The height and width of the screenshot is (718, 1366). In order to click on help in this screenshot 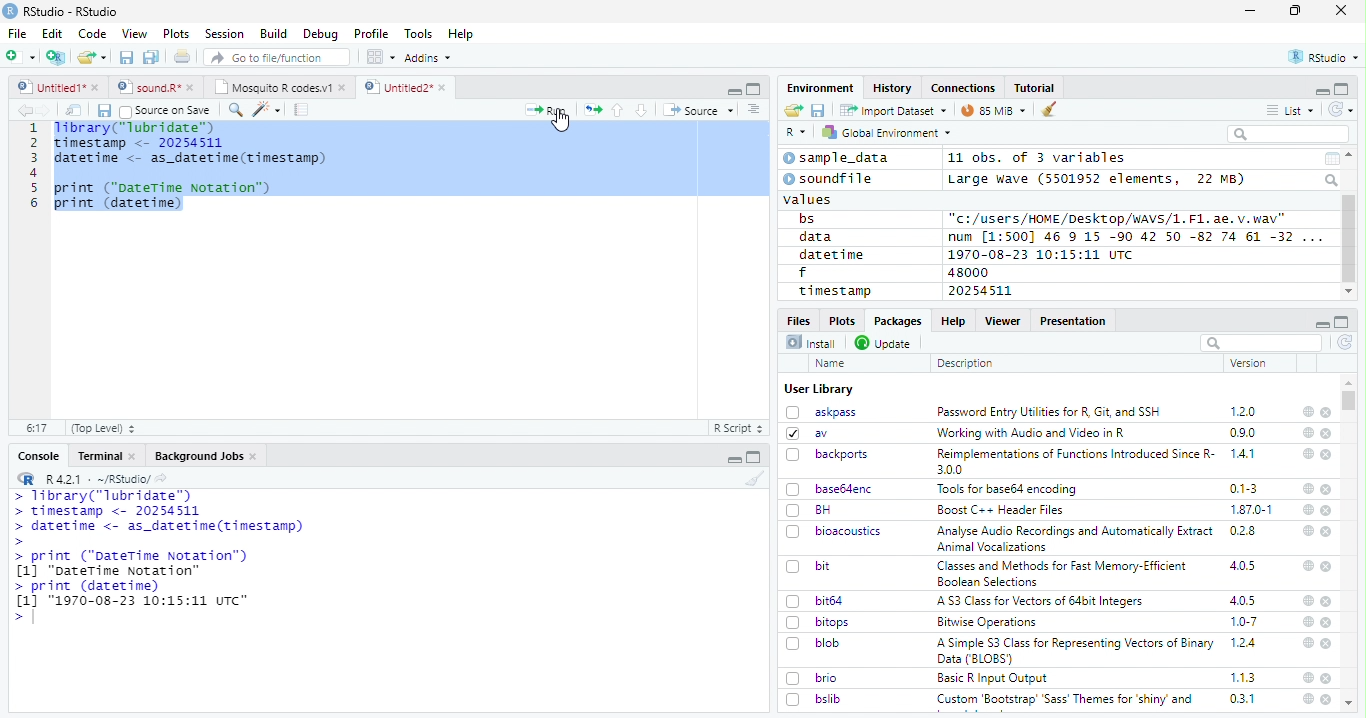, I will do `click(1308, 489)`.